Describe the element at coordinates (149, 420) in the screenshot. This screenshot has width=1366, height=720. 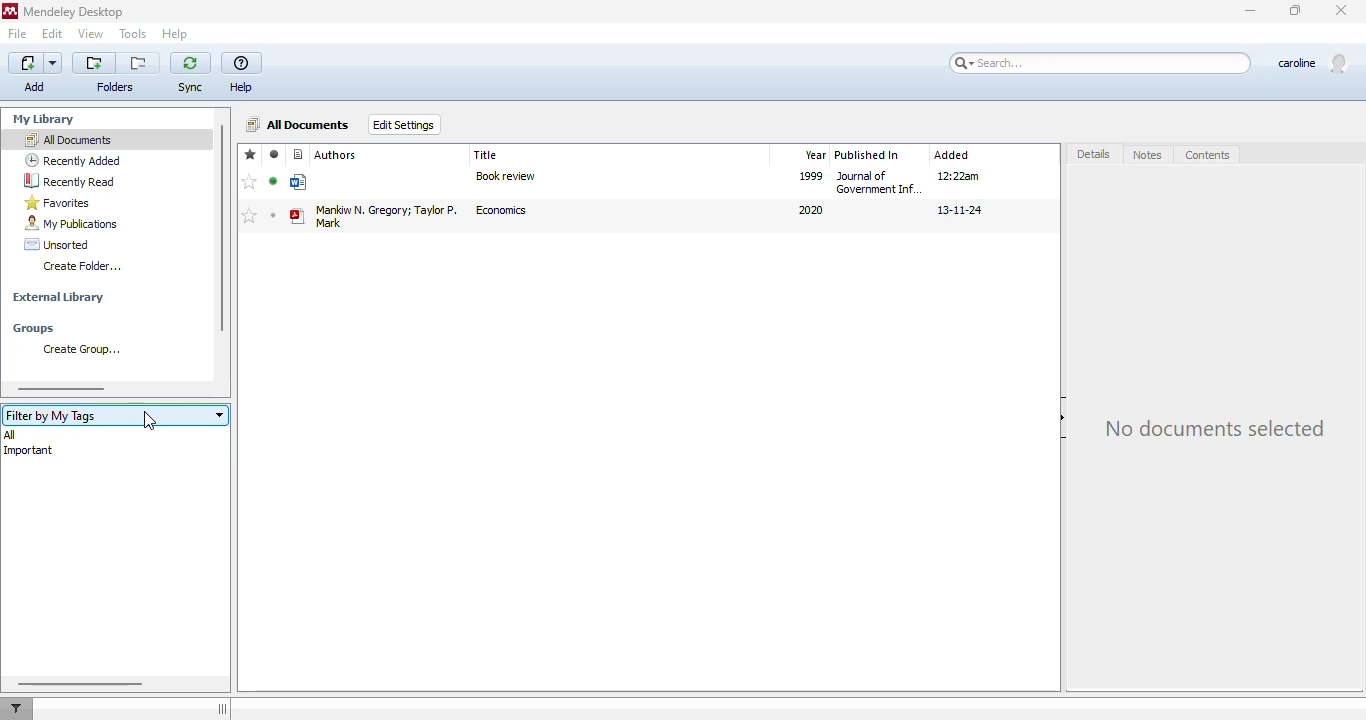
I see `cursor` at that location.